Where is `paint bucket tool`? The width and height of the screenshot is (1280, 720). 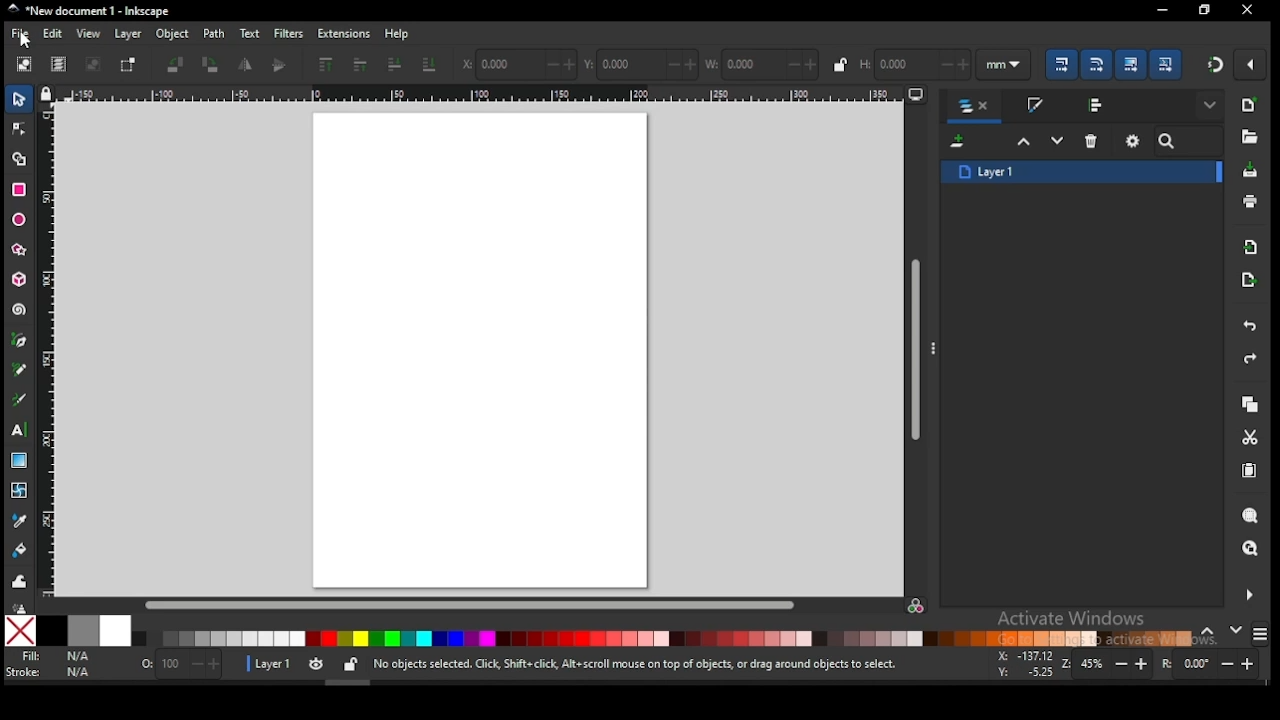
paint bucket tool is located at coordinates (21, 548).